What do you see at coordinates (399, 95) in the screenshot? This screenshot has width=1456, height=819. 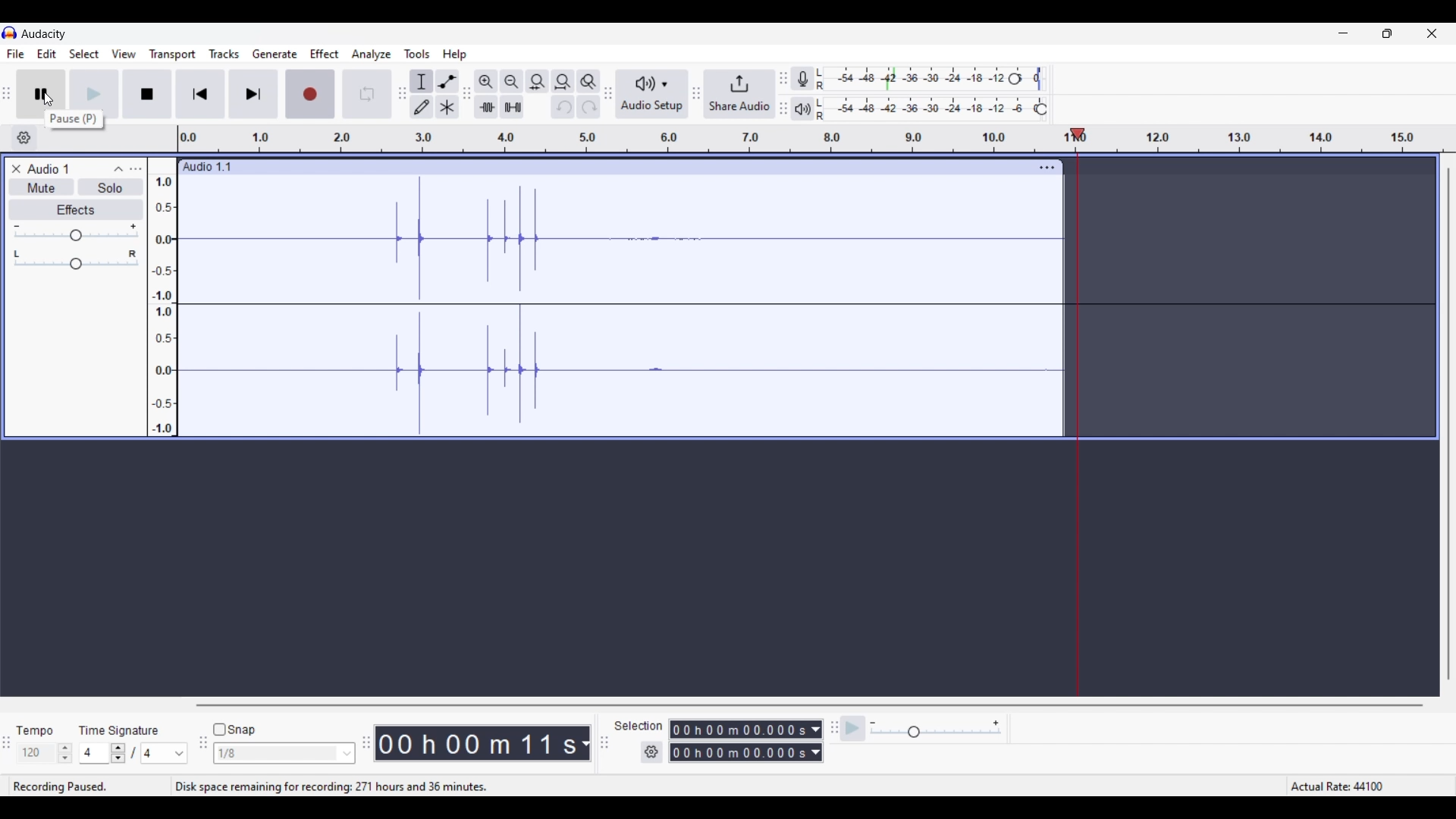 I see `toolbar` at bounding box center [399, 95].